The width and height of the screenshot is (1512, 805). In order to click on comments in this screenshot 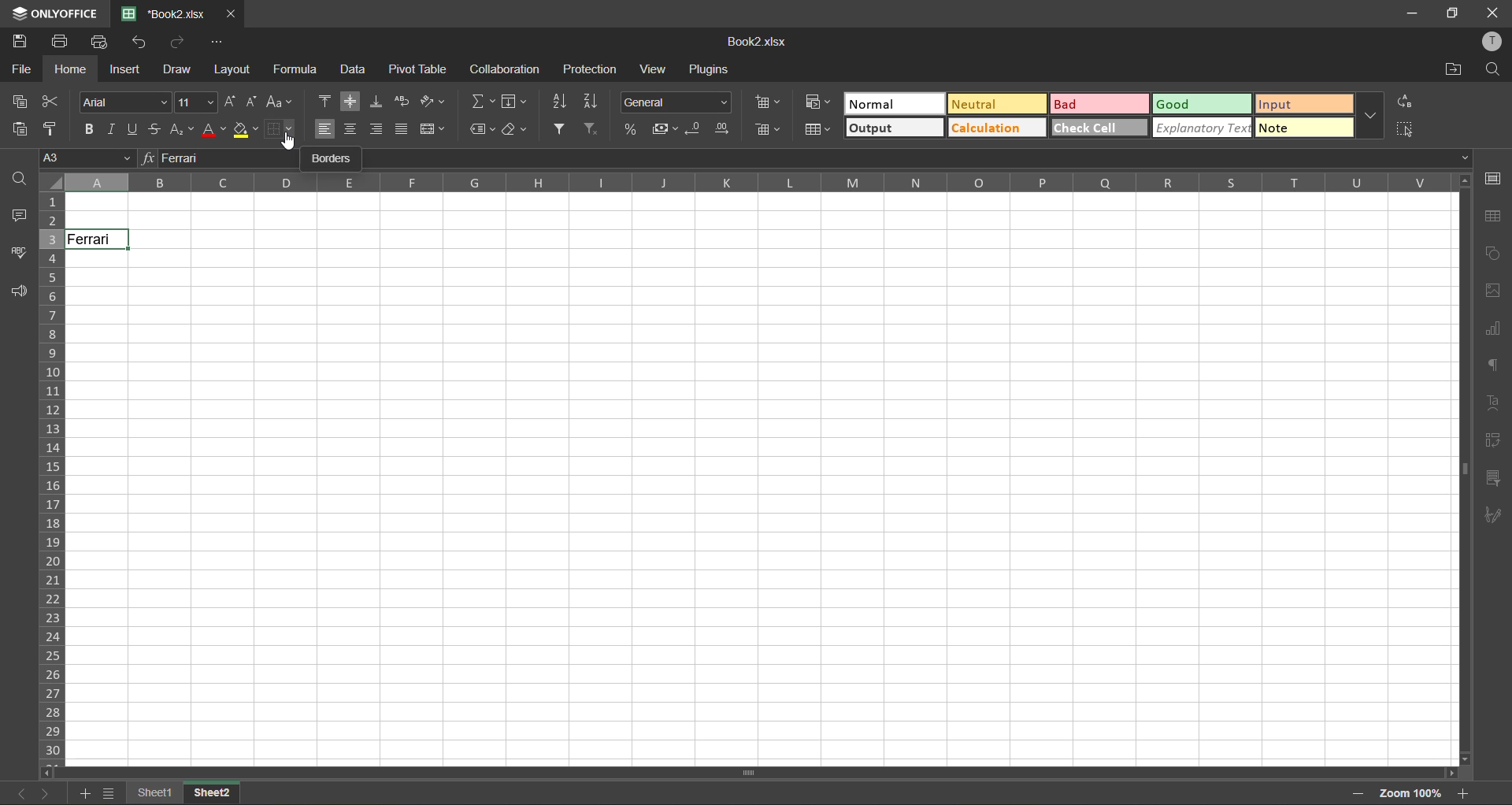, I will do `click(15, 215)`.